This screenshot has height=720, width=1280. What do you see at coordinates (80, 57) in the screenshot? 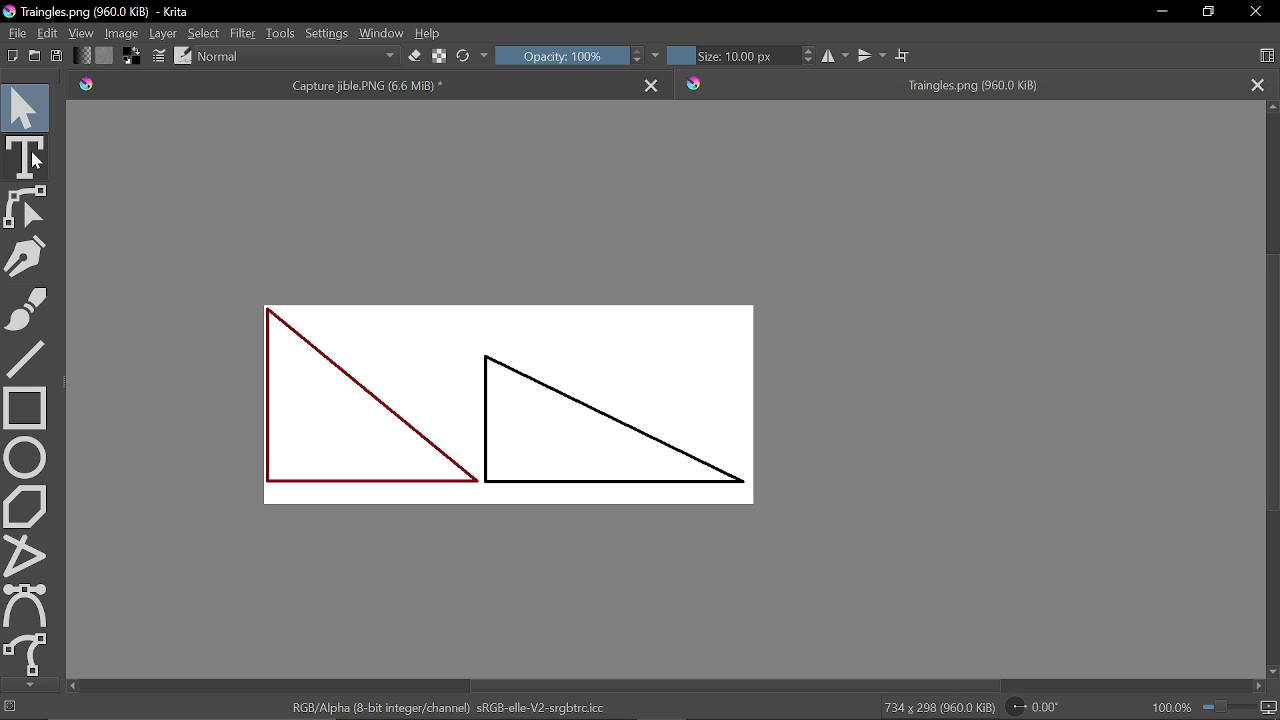
I see `Gradient fill` at bounding box center [80, 57].